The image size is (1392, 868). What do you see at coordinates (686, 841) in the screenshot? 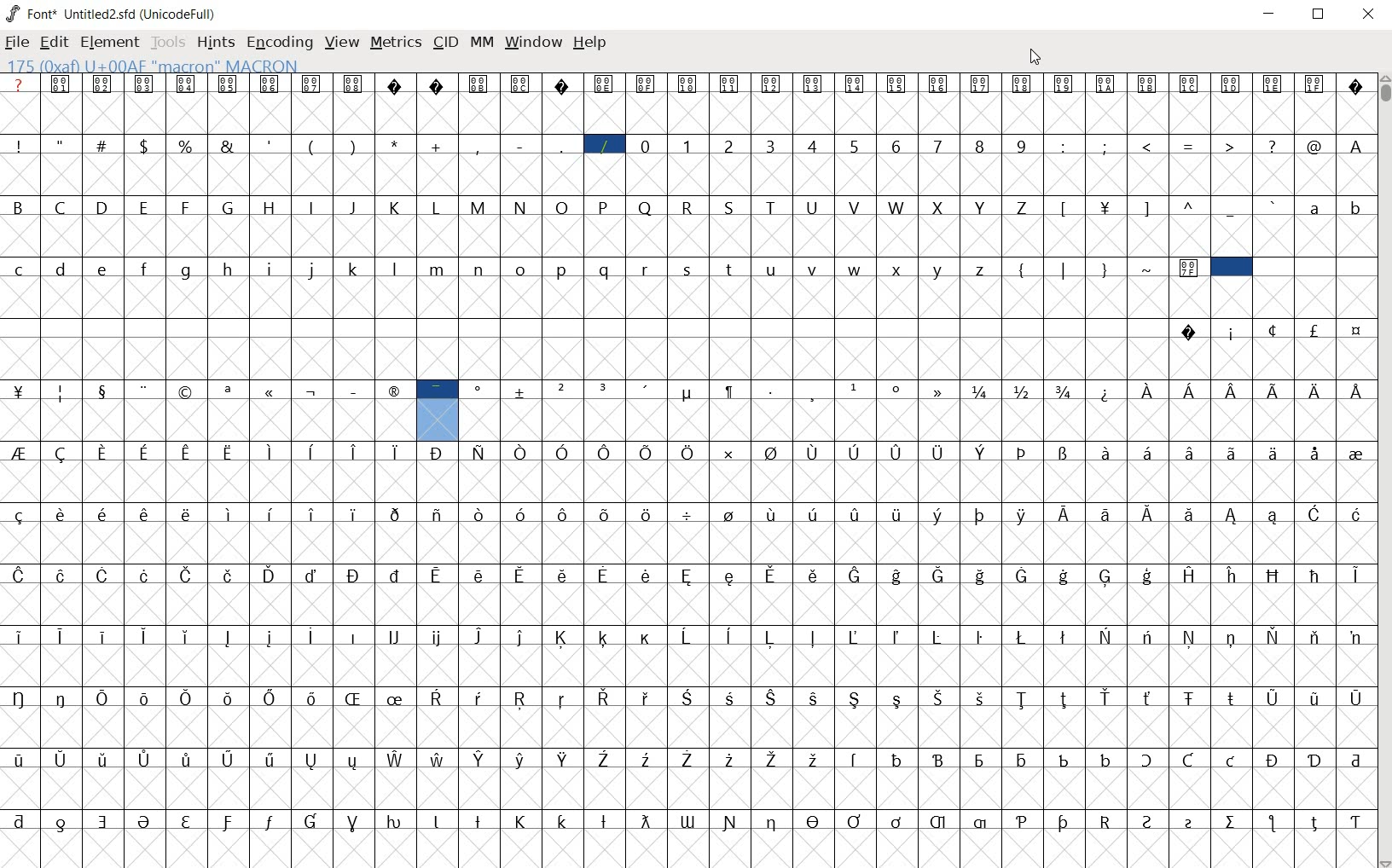
I see `special characters` at bounding box center [686, 841].